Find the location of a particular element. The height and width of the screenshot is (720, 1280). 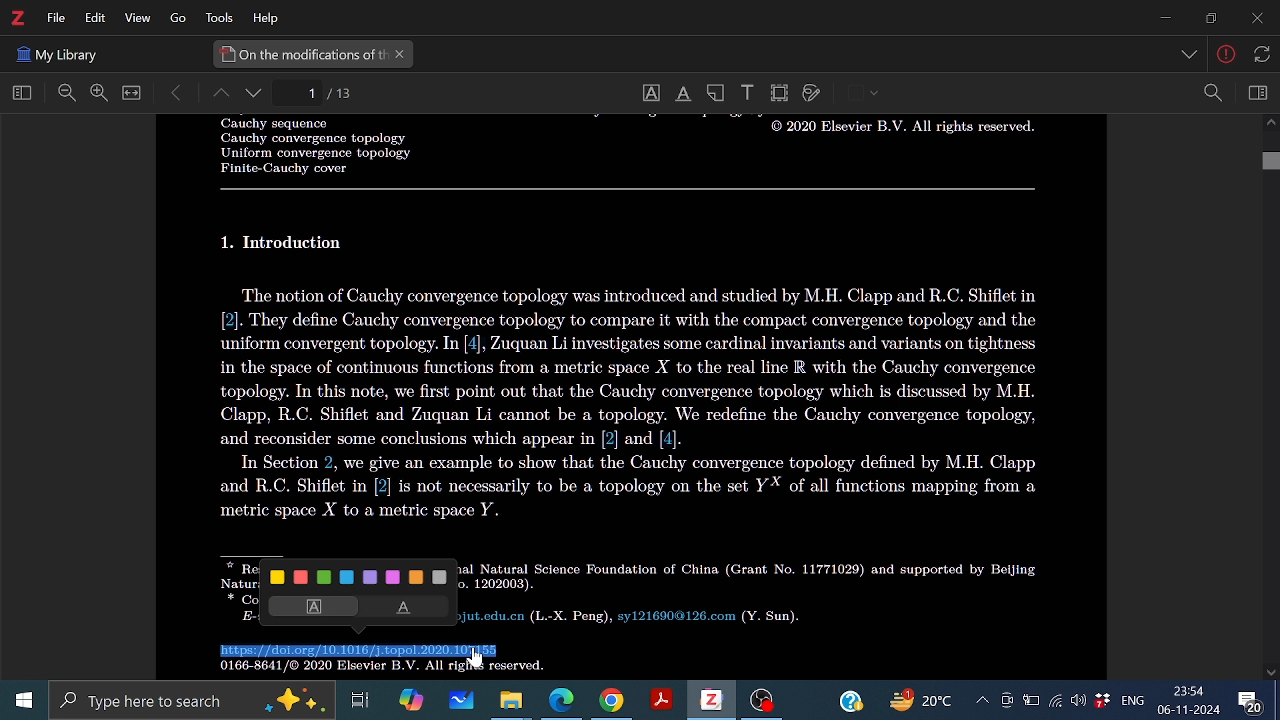

Move down is located at coordinates (1272, 672).